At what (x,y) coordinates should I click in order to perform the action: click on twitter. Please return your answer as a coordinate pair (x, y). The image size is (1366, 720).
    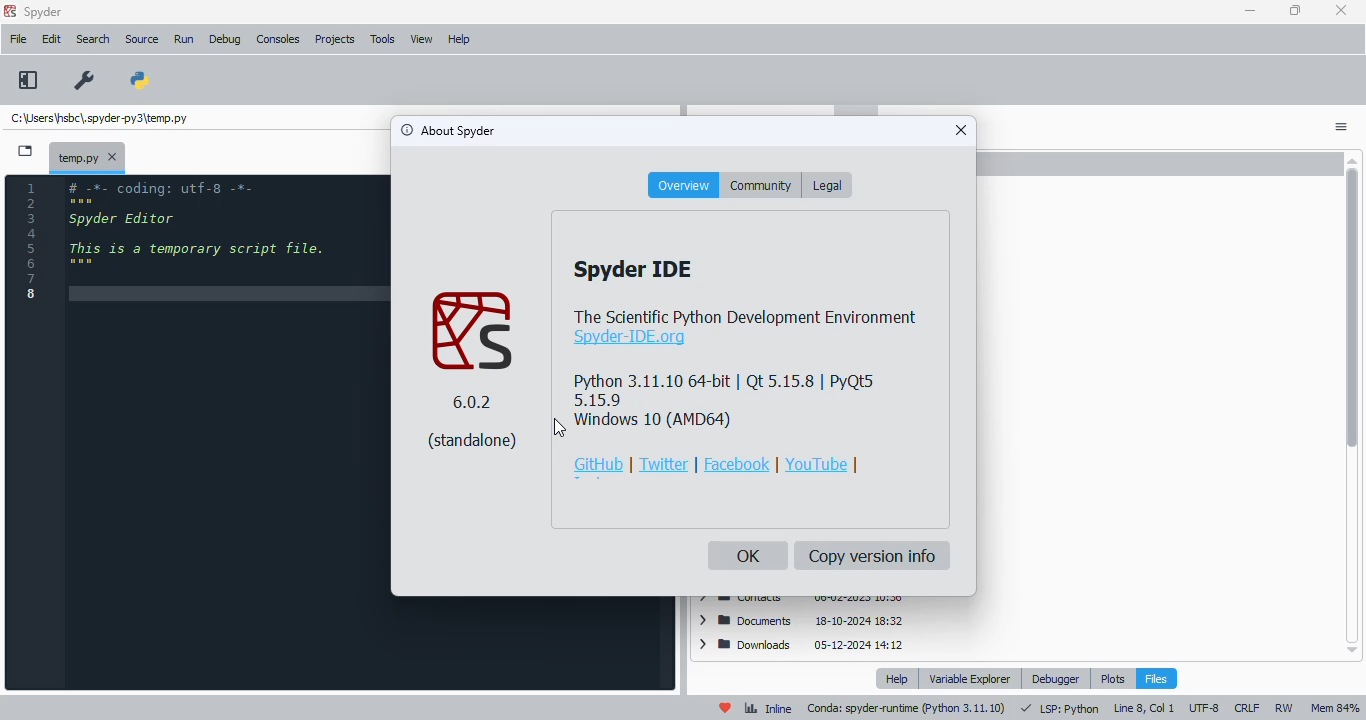
    Looking at the image, I should click on (663, 465).